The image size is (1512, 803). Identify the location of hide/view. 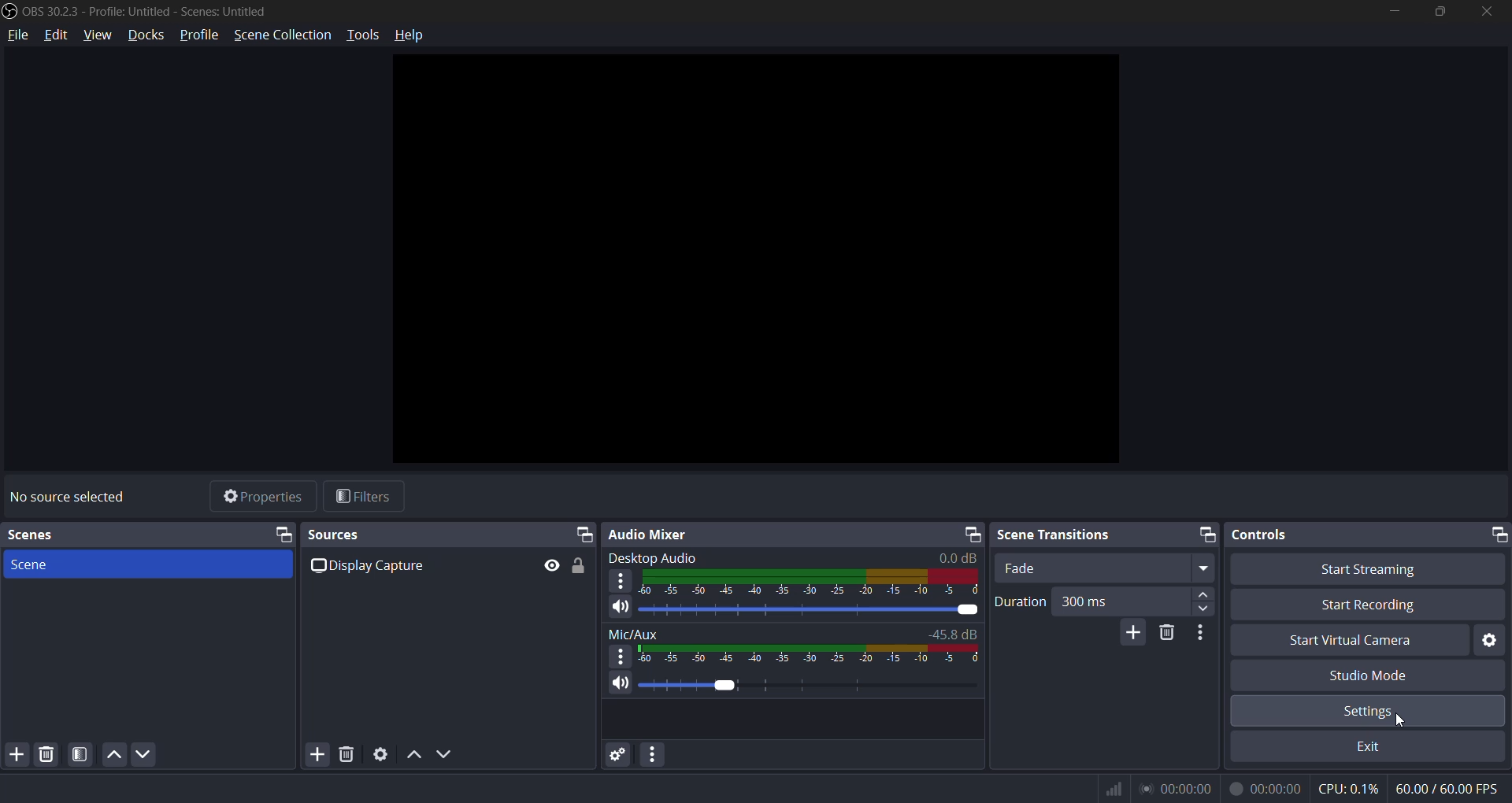
(555, 565).